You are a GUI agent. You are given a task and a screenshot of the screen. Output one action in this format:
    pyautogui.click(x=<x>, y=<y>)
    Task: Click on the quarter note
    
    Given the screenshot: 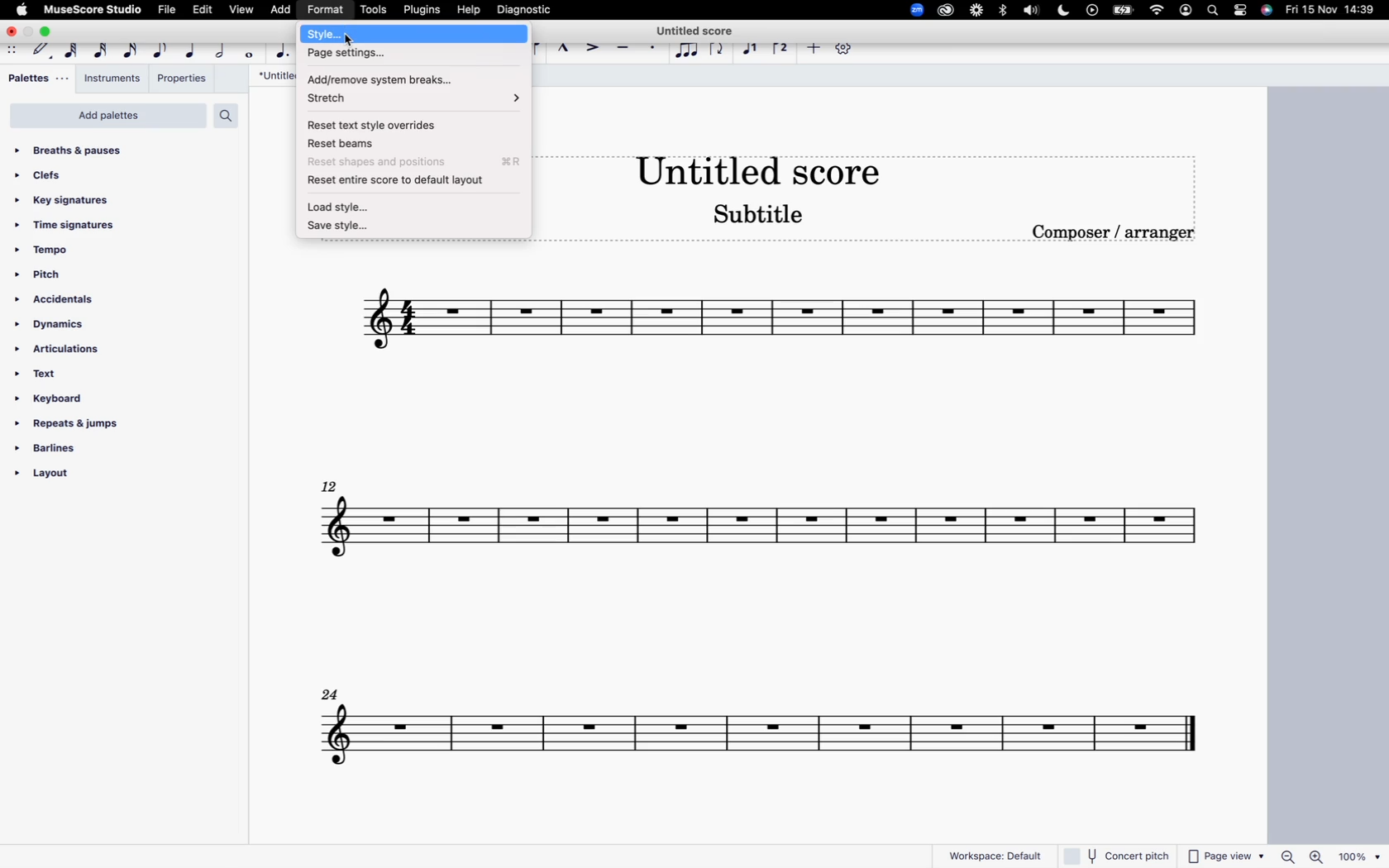 What is the action you would take?
    pyautogui.click(x=194, y=51)
    